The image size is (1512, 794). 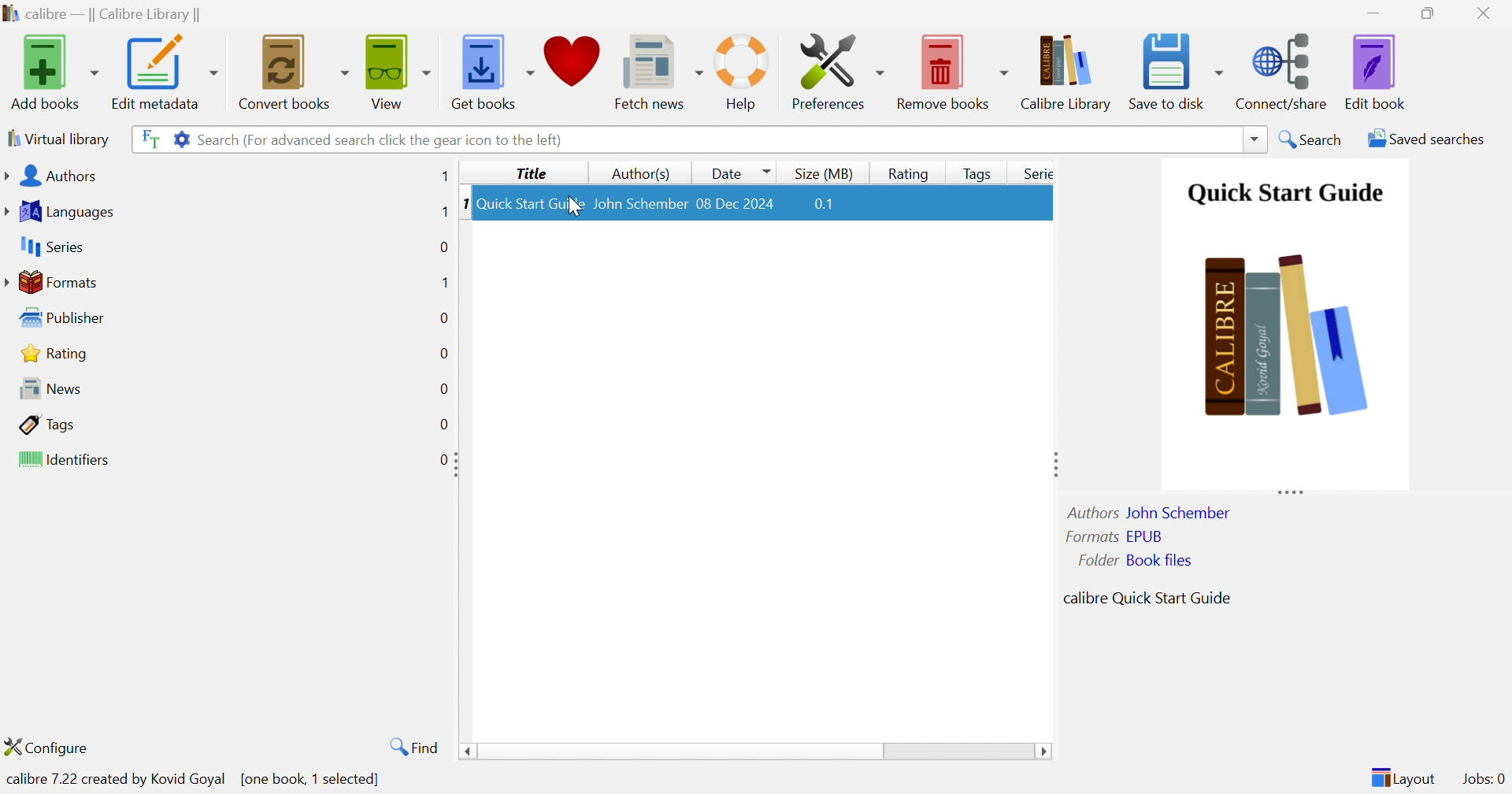 What do you see at coordinates (1423, 139) in the screenshot?
I see `Saved searches` at bounding box center [1423, 139].